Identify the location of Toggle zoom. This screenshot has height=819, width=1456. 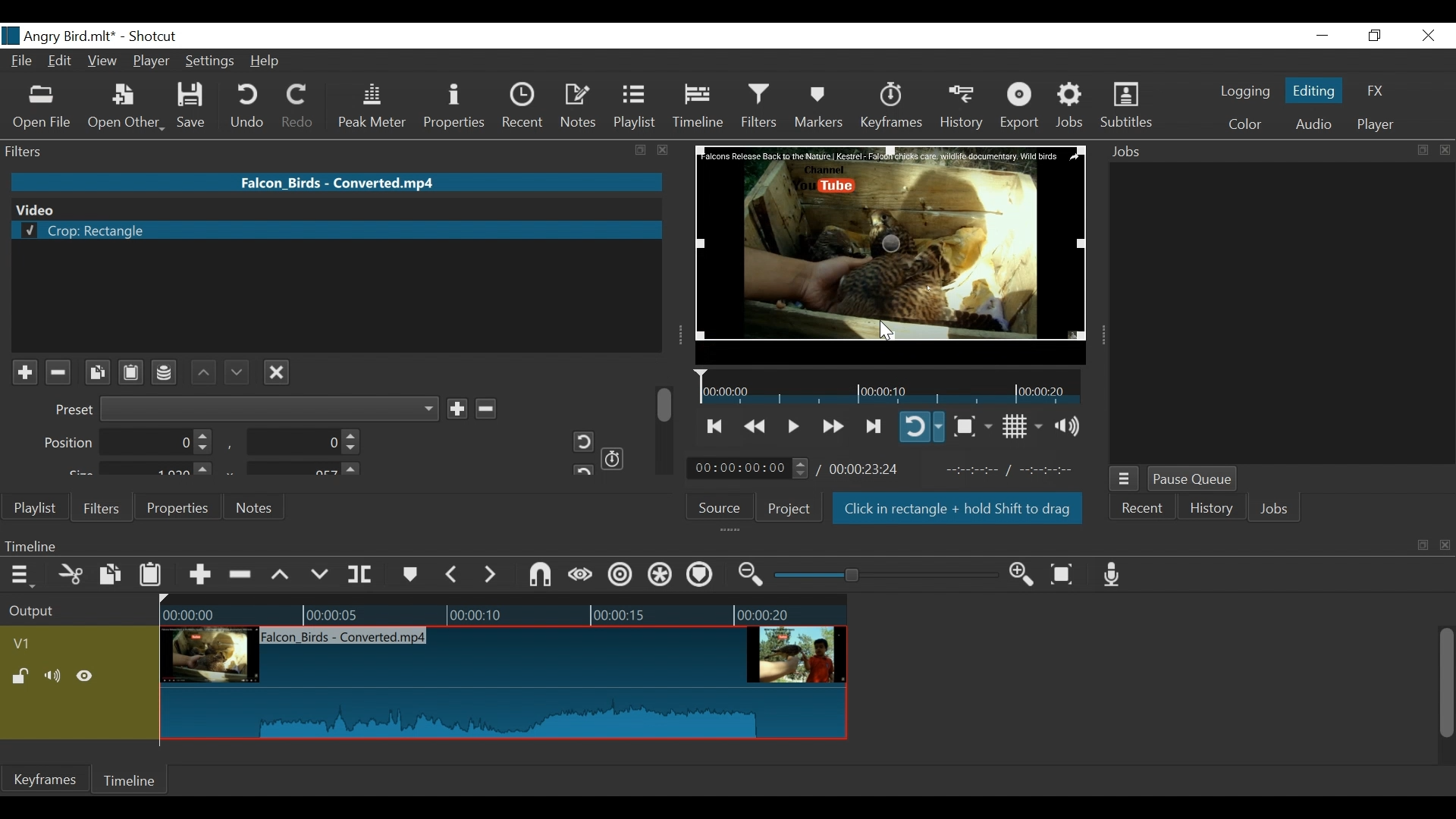
(972, 426).